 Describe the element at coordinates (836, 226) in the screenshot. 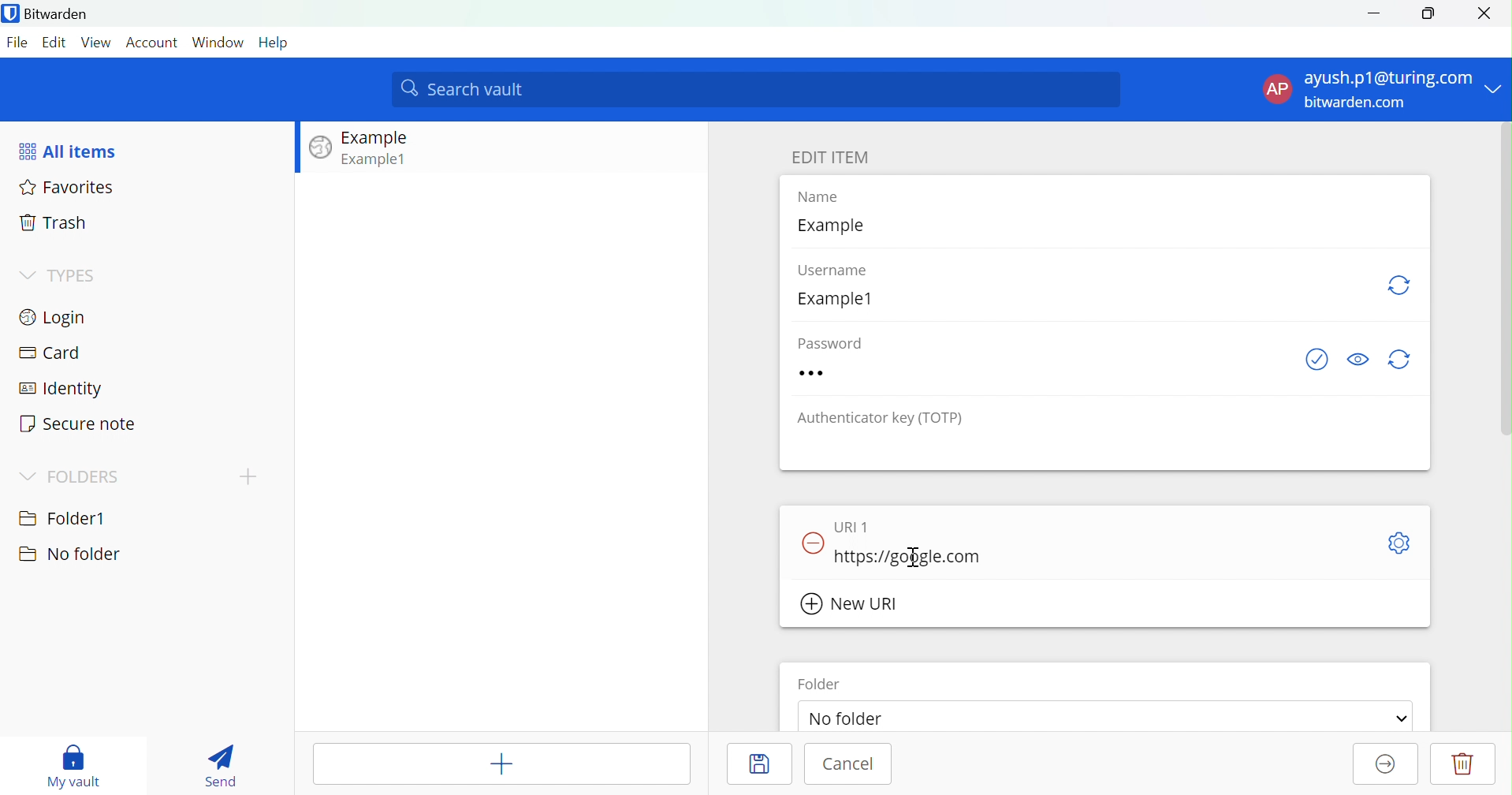

I see `Example` at that location.